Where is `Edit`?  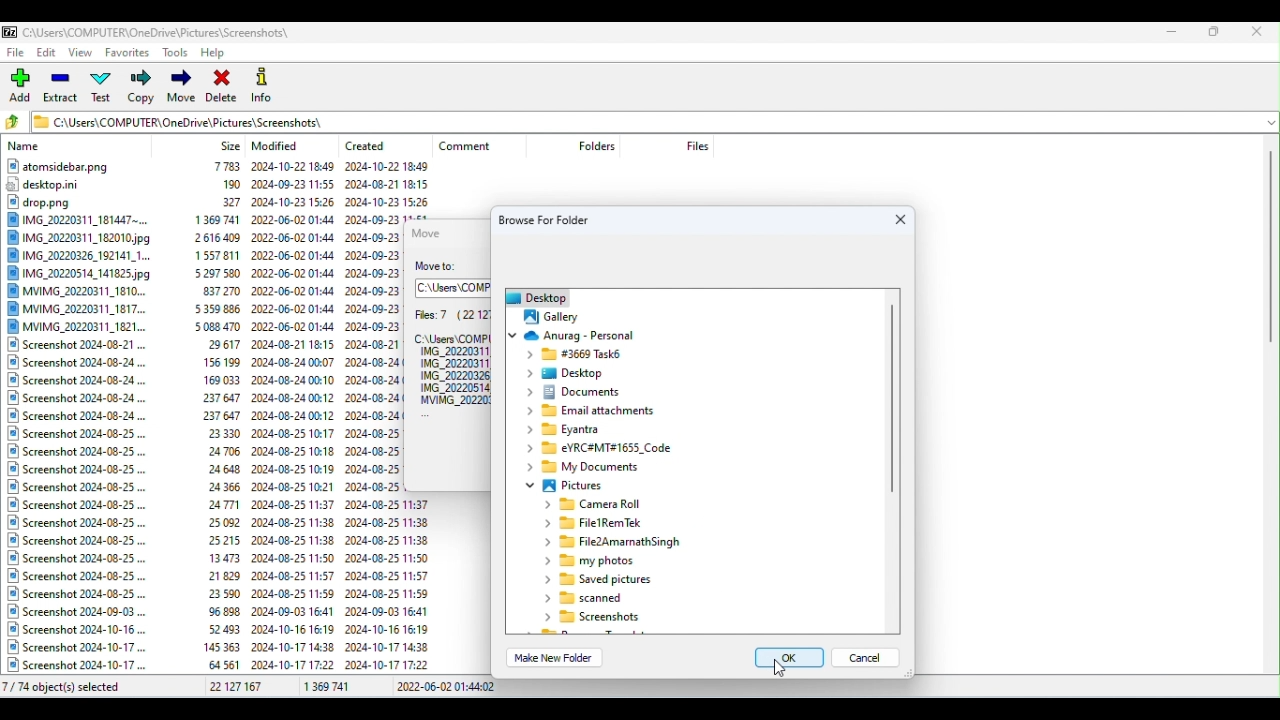
Edit is located at coordinates (48, 55).